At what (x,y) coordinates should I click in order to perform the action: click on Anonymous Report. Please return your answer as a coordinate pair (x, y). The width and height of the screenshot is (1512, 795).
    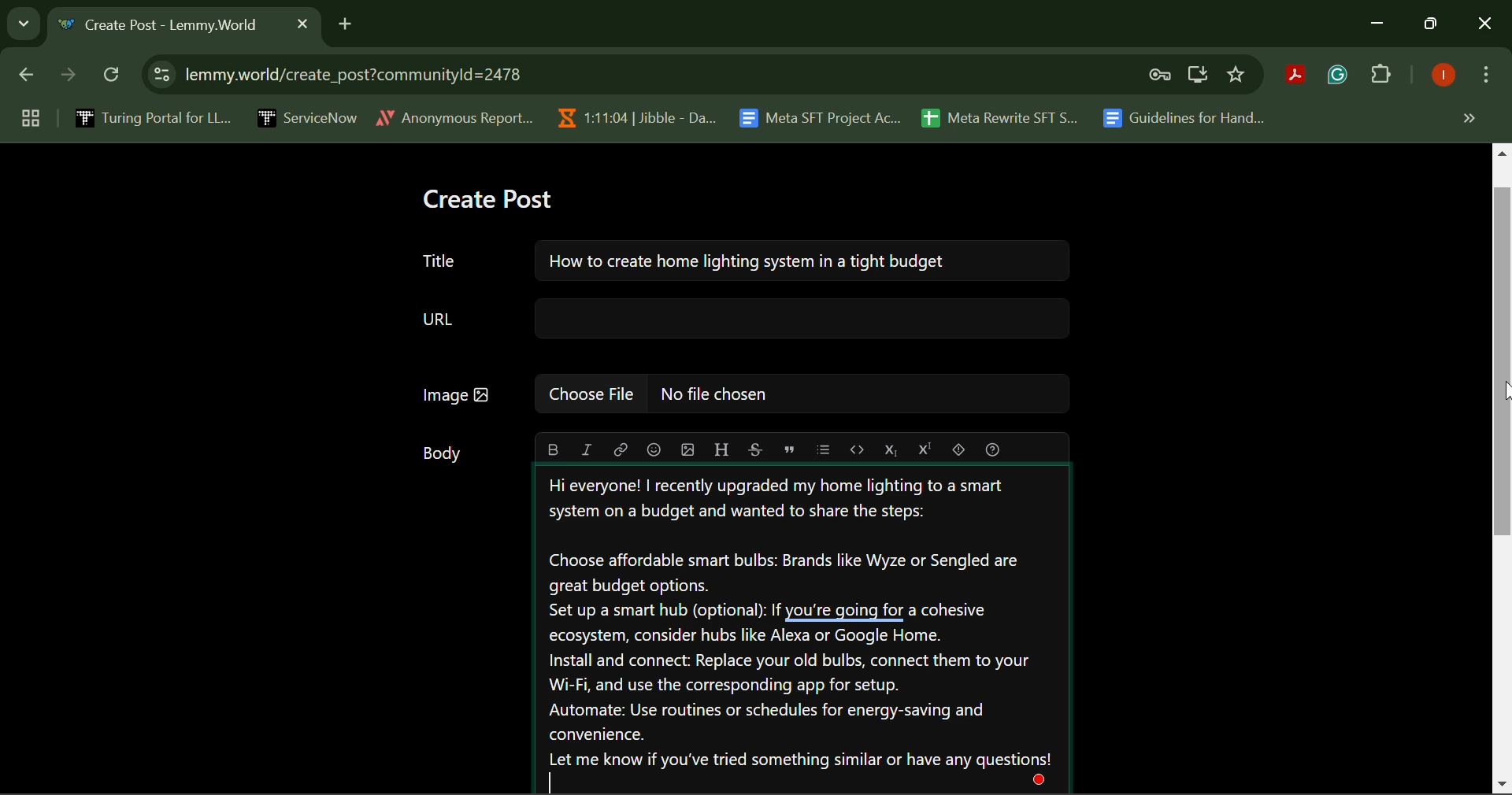
    Looking at the image, I should click on (454, 115).